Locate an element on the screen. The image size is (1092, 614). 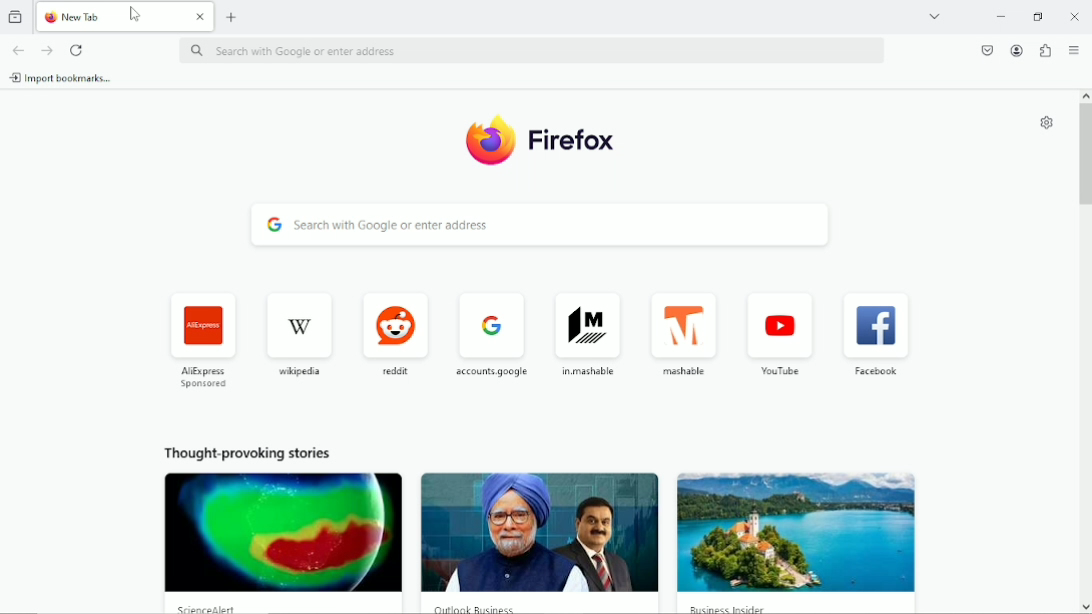
outlook business is located at coordinates (480, 606).